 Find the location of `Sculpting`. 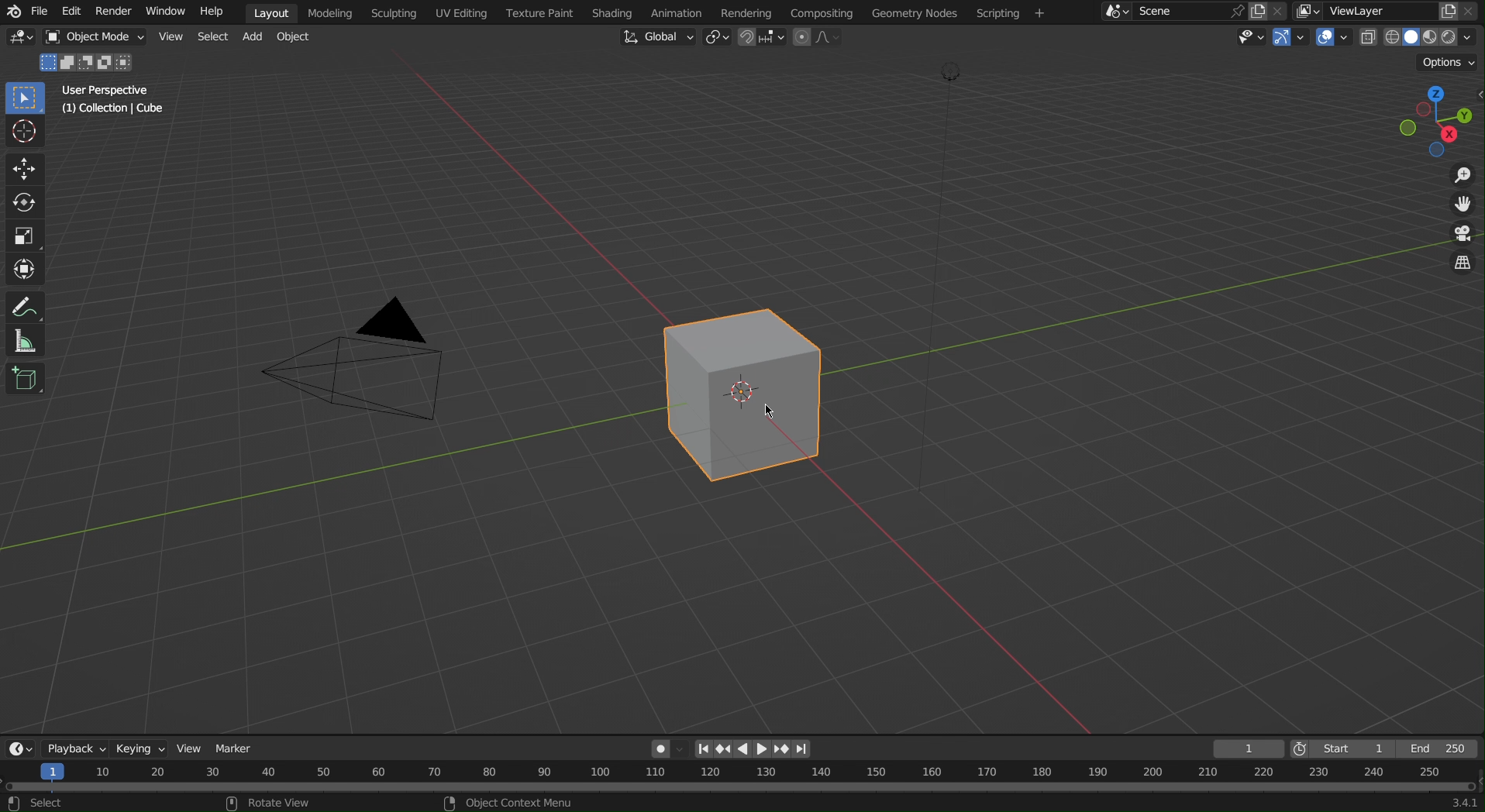

Sculpting is located at coordinates (392, 12).